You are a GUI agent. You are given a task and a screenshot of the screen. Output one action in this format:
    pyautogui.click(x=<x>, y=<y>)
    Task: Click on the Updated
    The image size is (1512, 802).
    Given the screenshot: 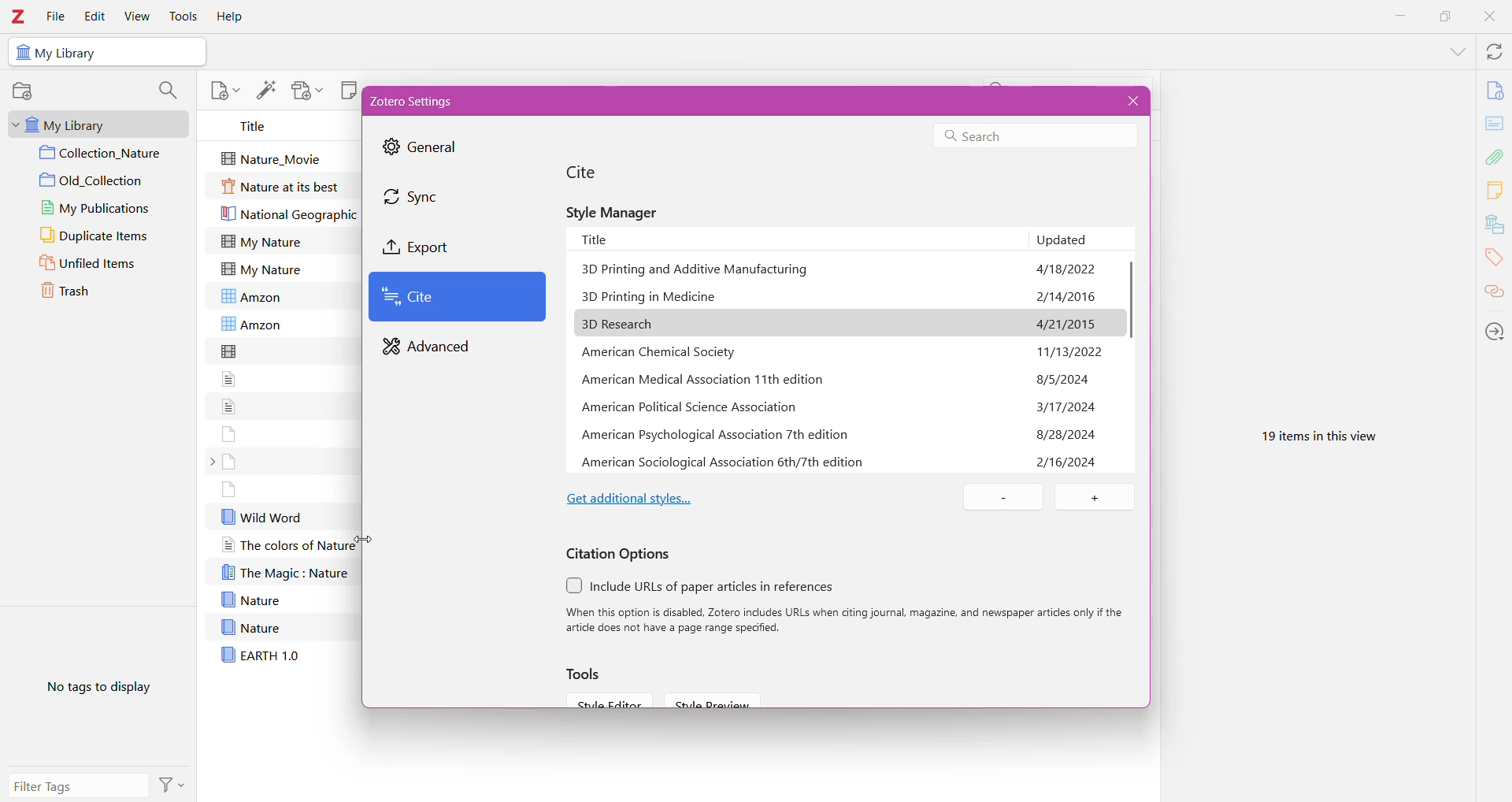 What is the action you would take?
    pyautogui.click(x=1080, y=239)
    